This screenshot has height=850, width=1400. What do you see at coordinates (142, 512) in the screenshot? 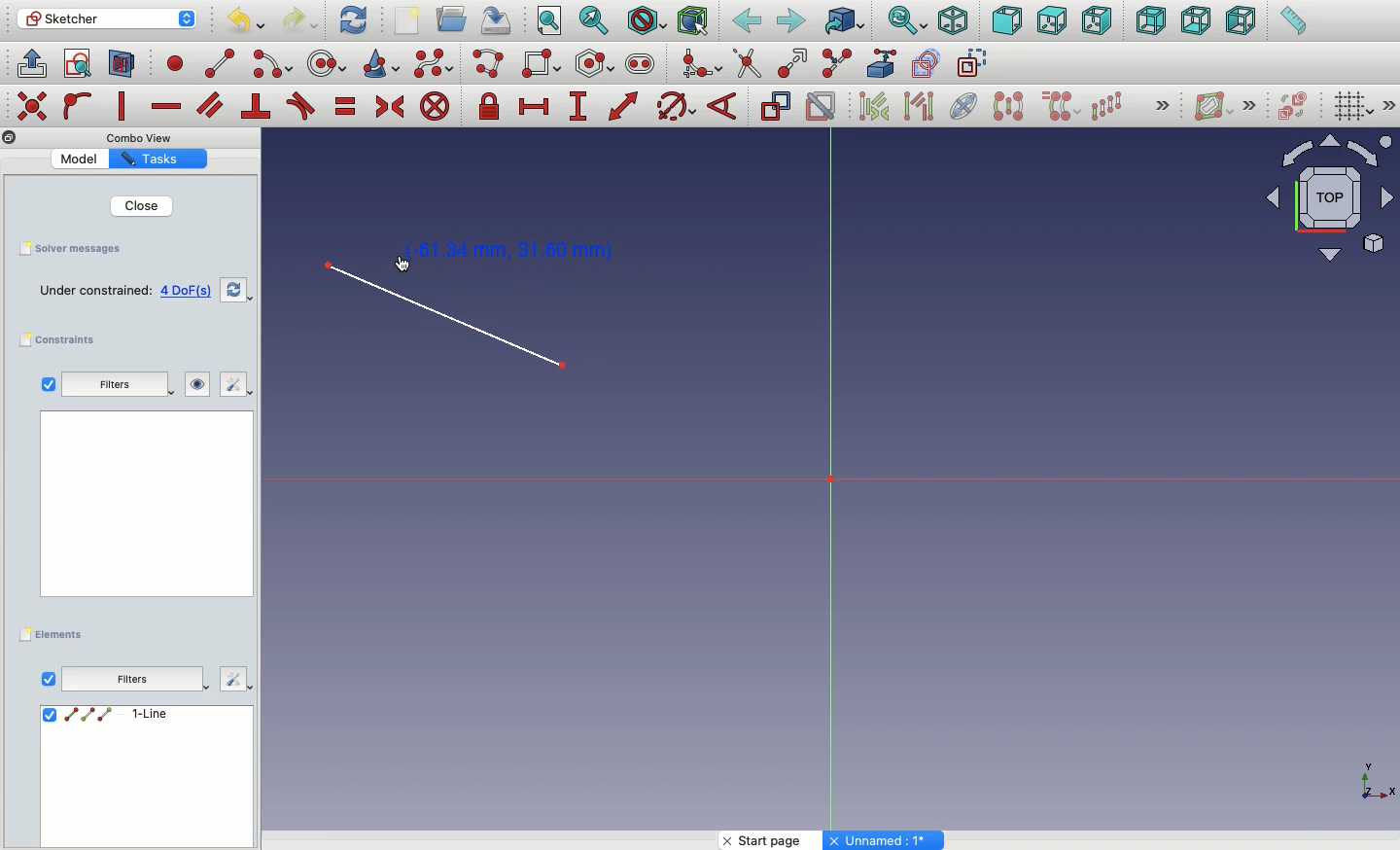
I see `` at bounding box center [142, 512].